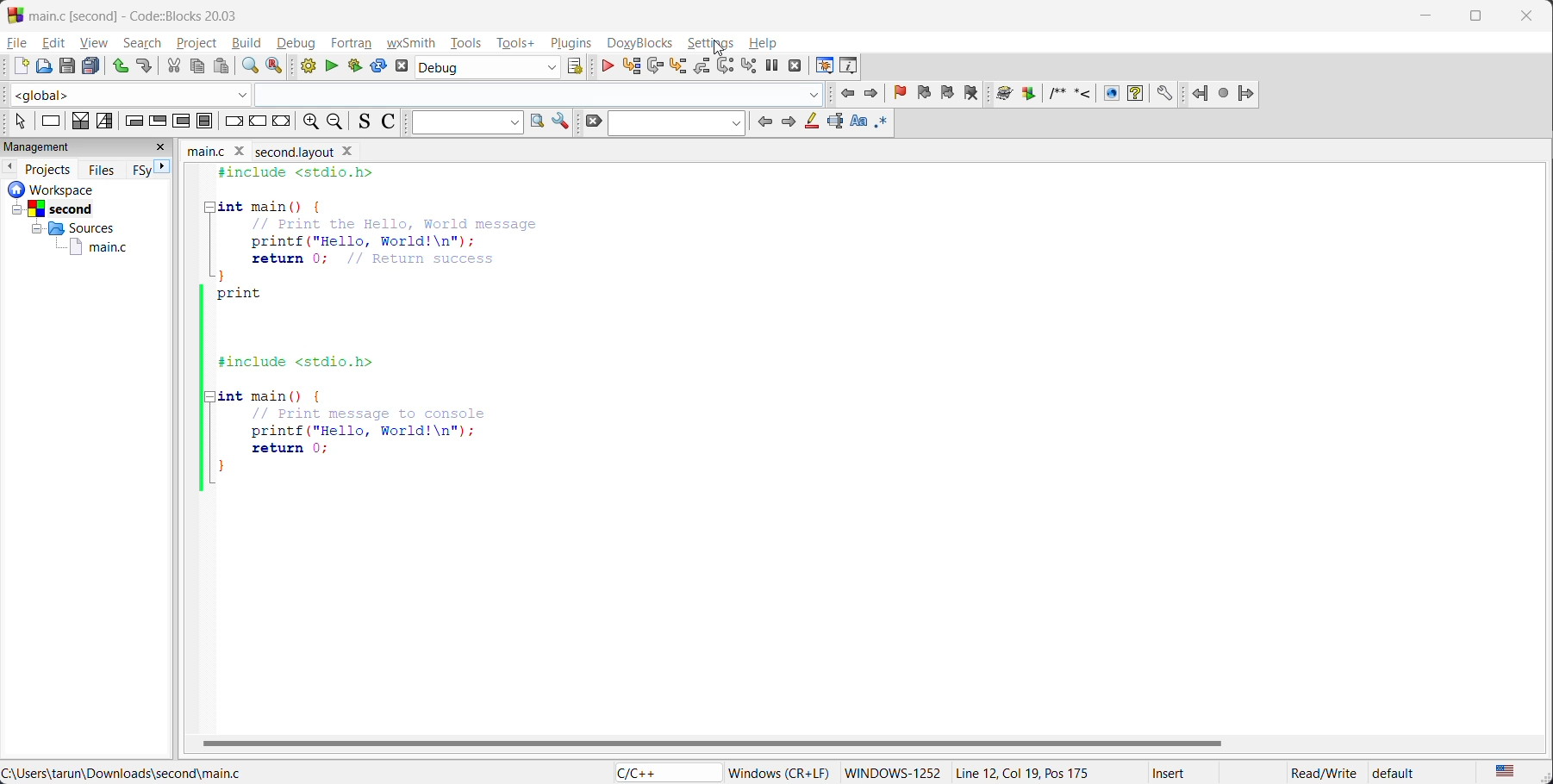 This screenshot has height=784, width=1553. What do you see at coordinates (47, 170) in the screenshot?
I see `projects` at bounding box center [47, 170].